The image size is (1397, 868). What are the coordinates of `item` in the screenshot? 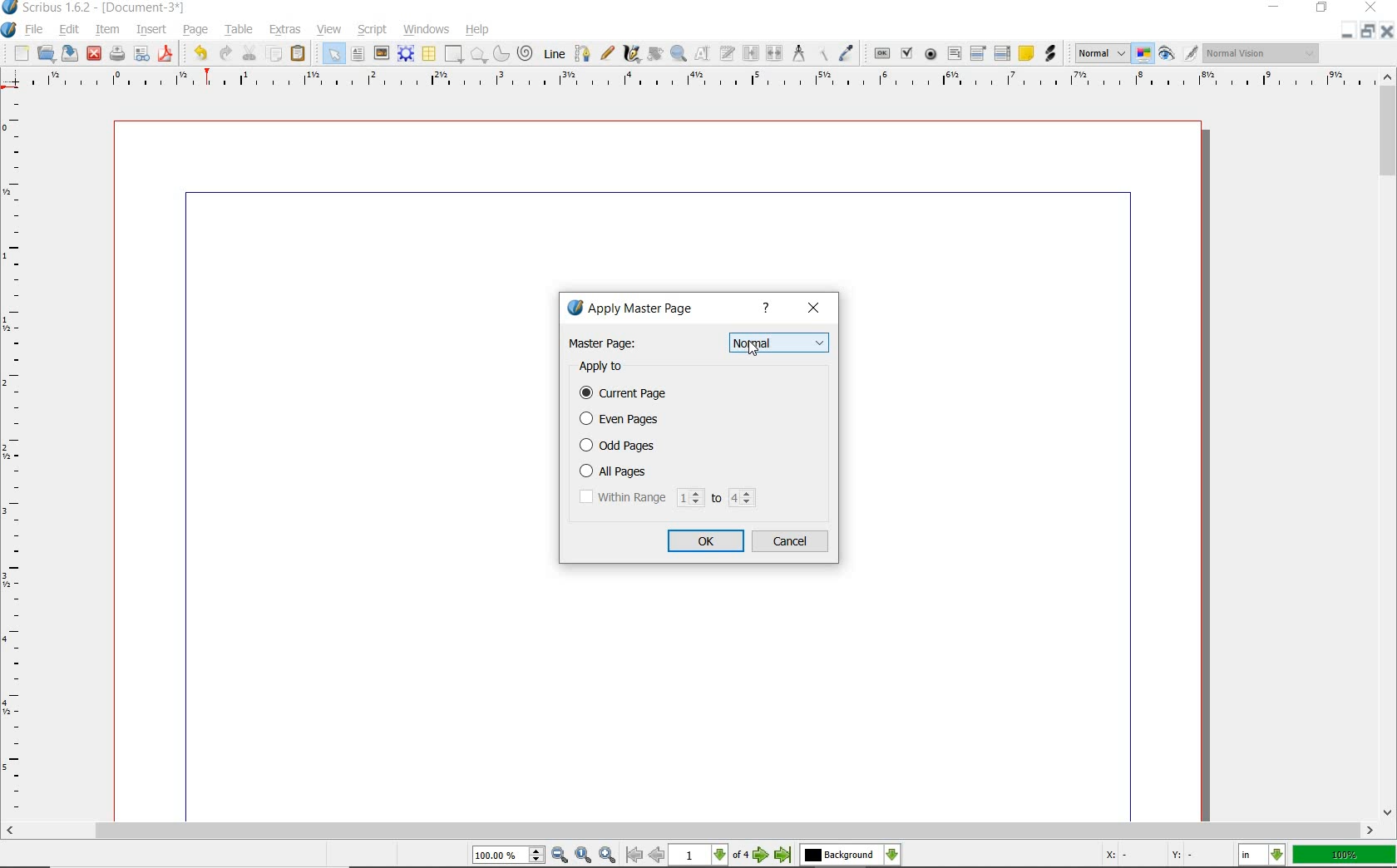 It's located at (106, 30).